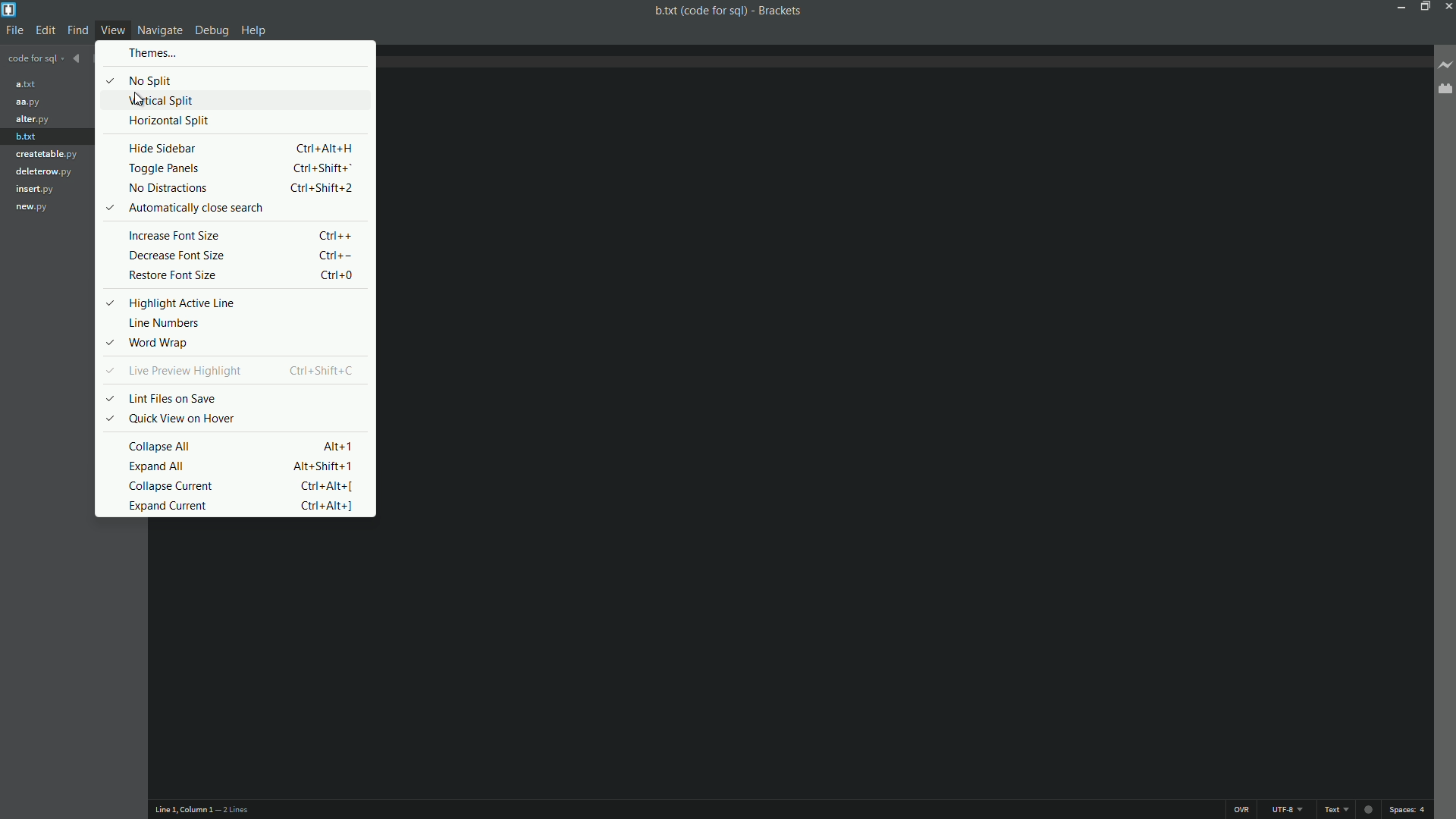 The image size is (1456, 819). Describe the element at coordinates (243, 485) in the screenshot. I see `collapse current` at that location.